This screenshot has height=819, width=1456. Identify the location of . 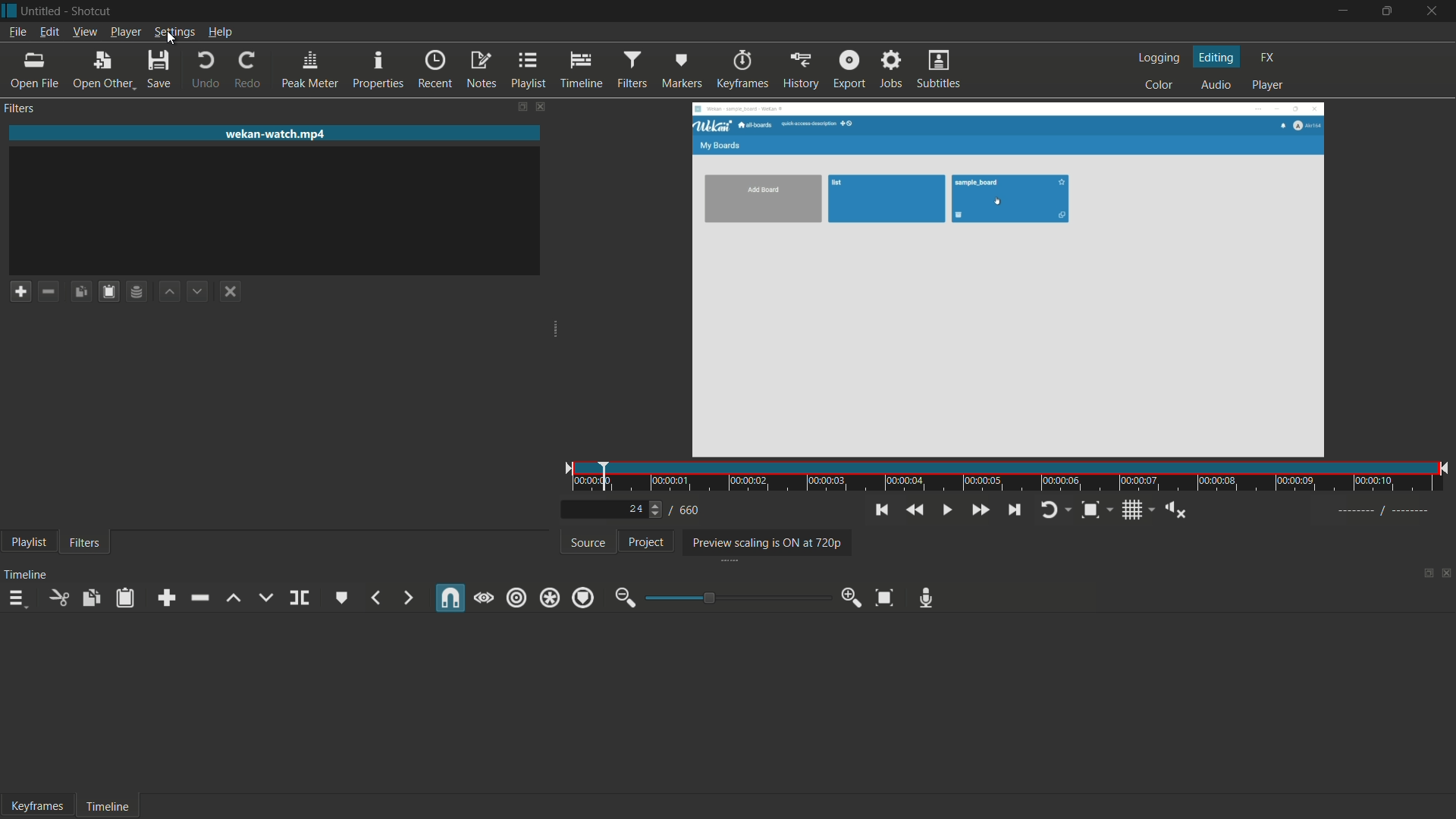
(1177, 513).